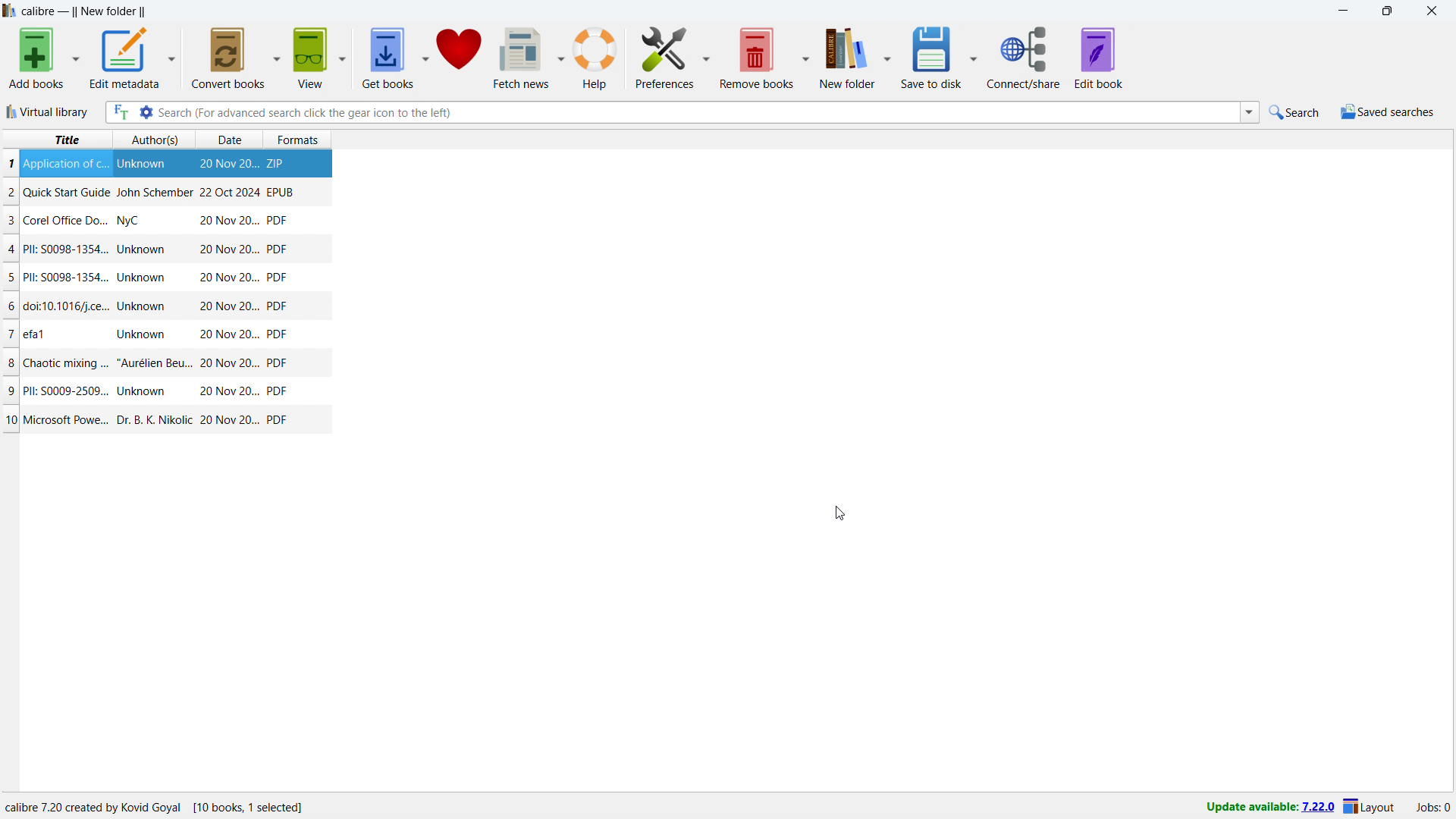  What do you see at coordinates (666, 56) in the screenshot?
I see `preferences` at bounding box center [666, 56].